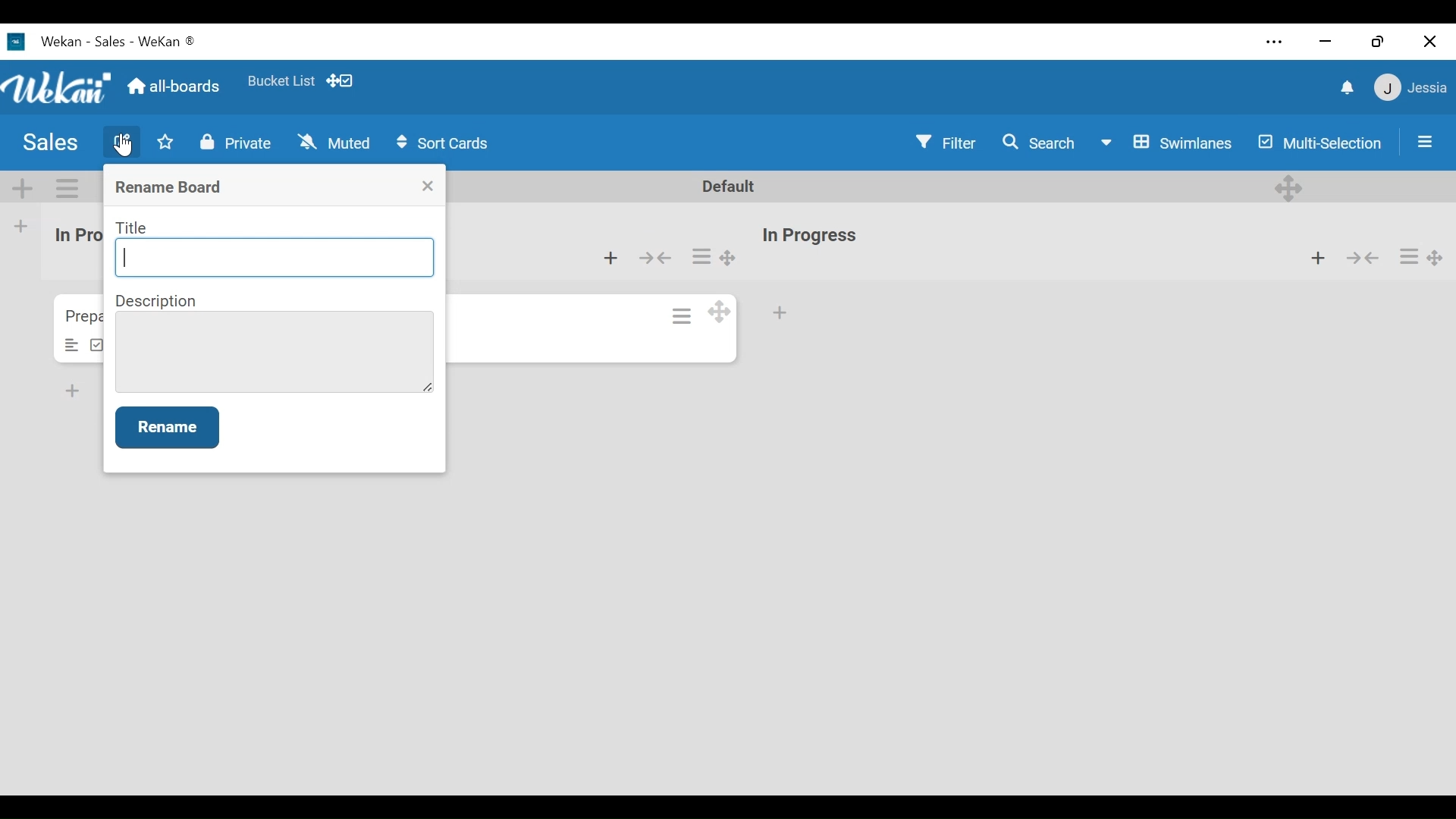  I want to click on notifications, so click(1349, 88).